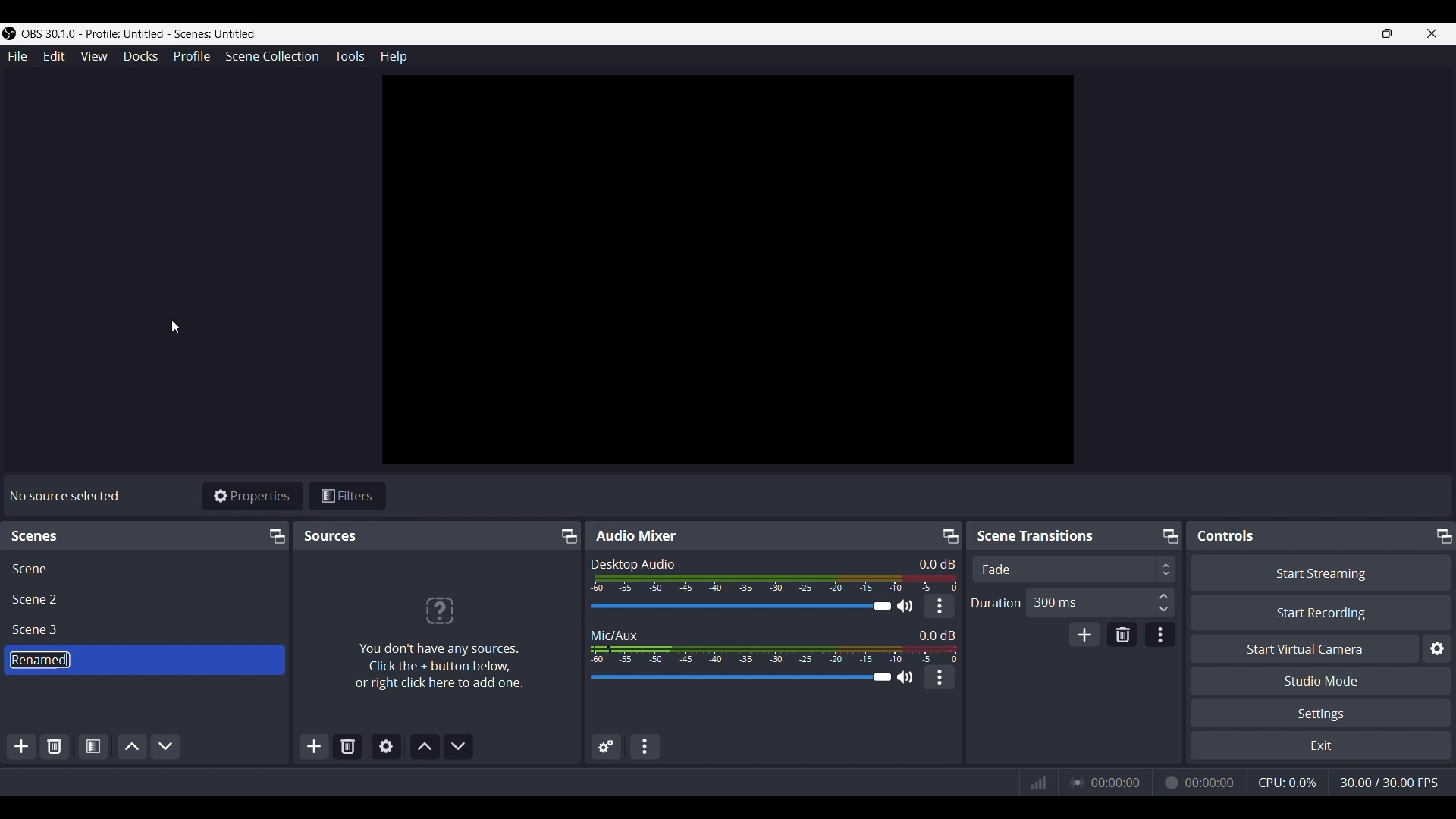 This screenshot has height=819, width=1456. What do you see at coordinates (425, 746) in the screenshot?
I see `Move source(s) up` at bounding box center [425, 746].